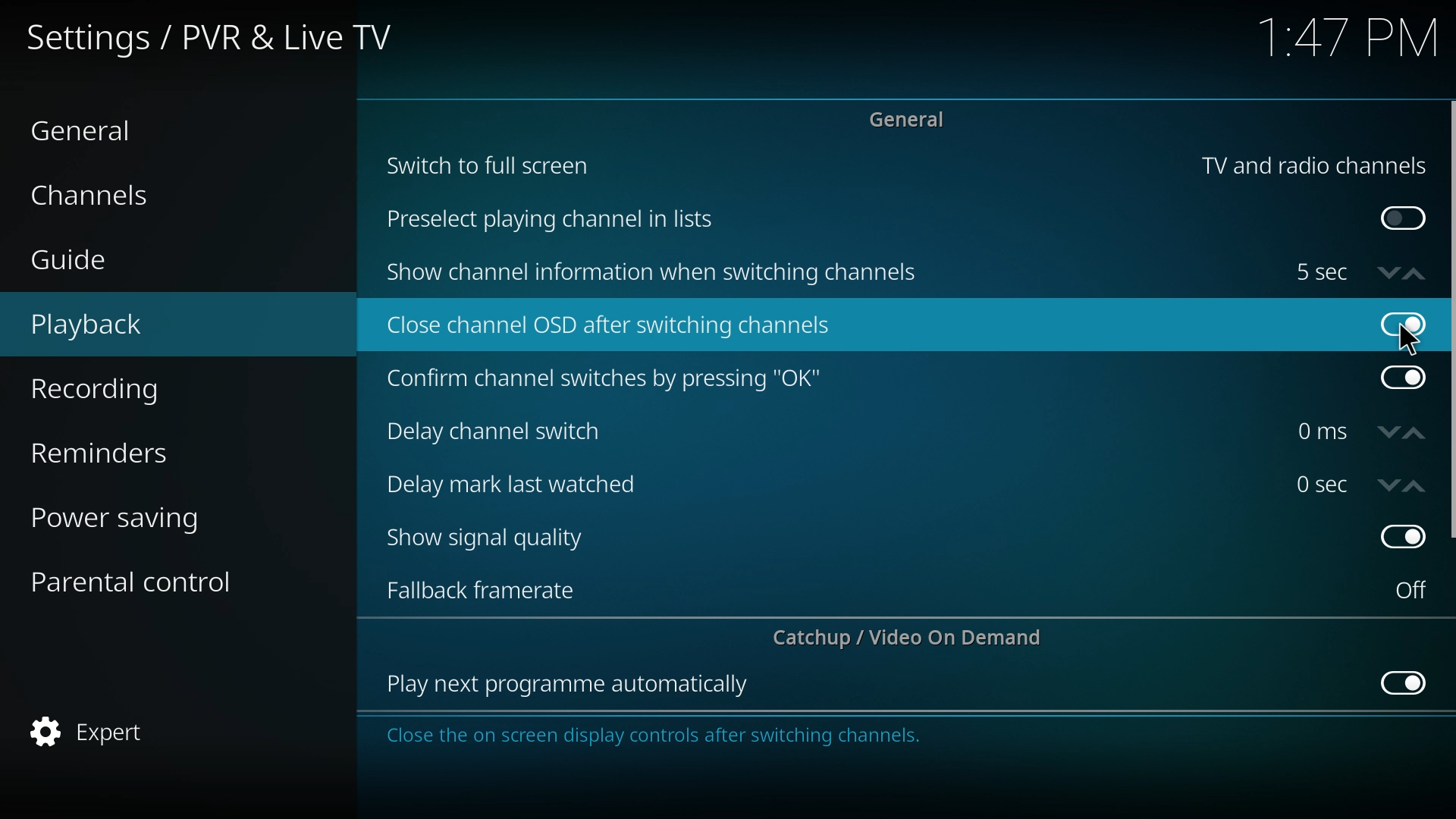 This screenshot has height=819, width=1456. What do you see at coordinates (1414, 274) in the screenshot?
I see `increase time` at bounding box center [1414, 274].